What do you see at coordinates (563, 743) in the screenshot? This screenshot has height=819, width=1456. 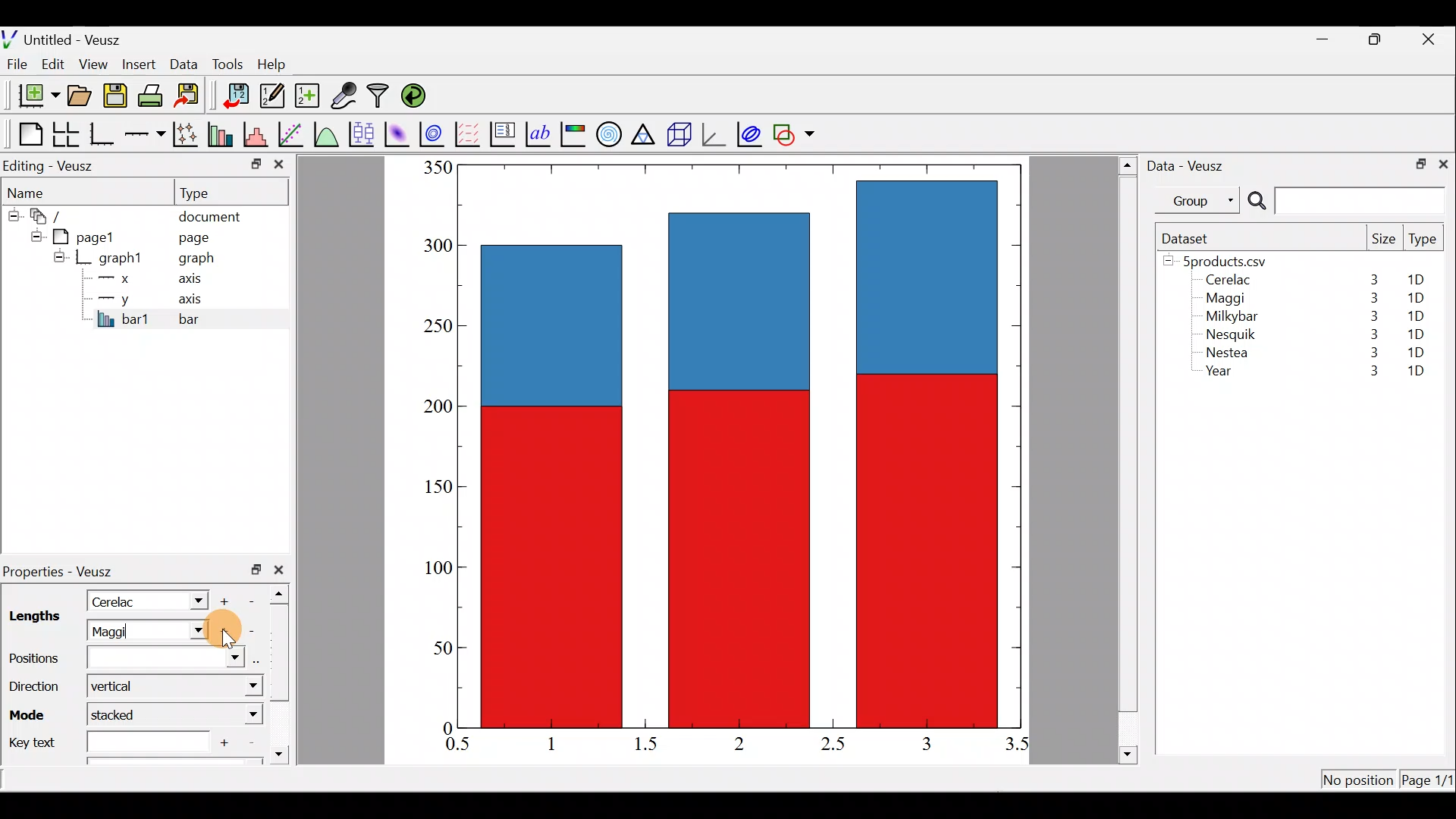 I see `1` at bounding box center [563, 743].